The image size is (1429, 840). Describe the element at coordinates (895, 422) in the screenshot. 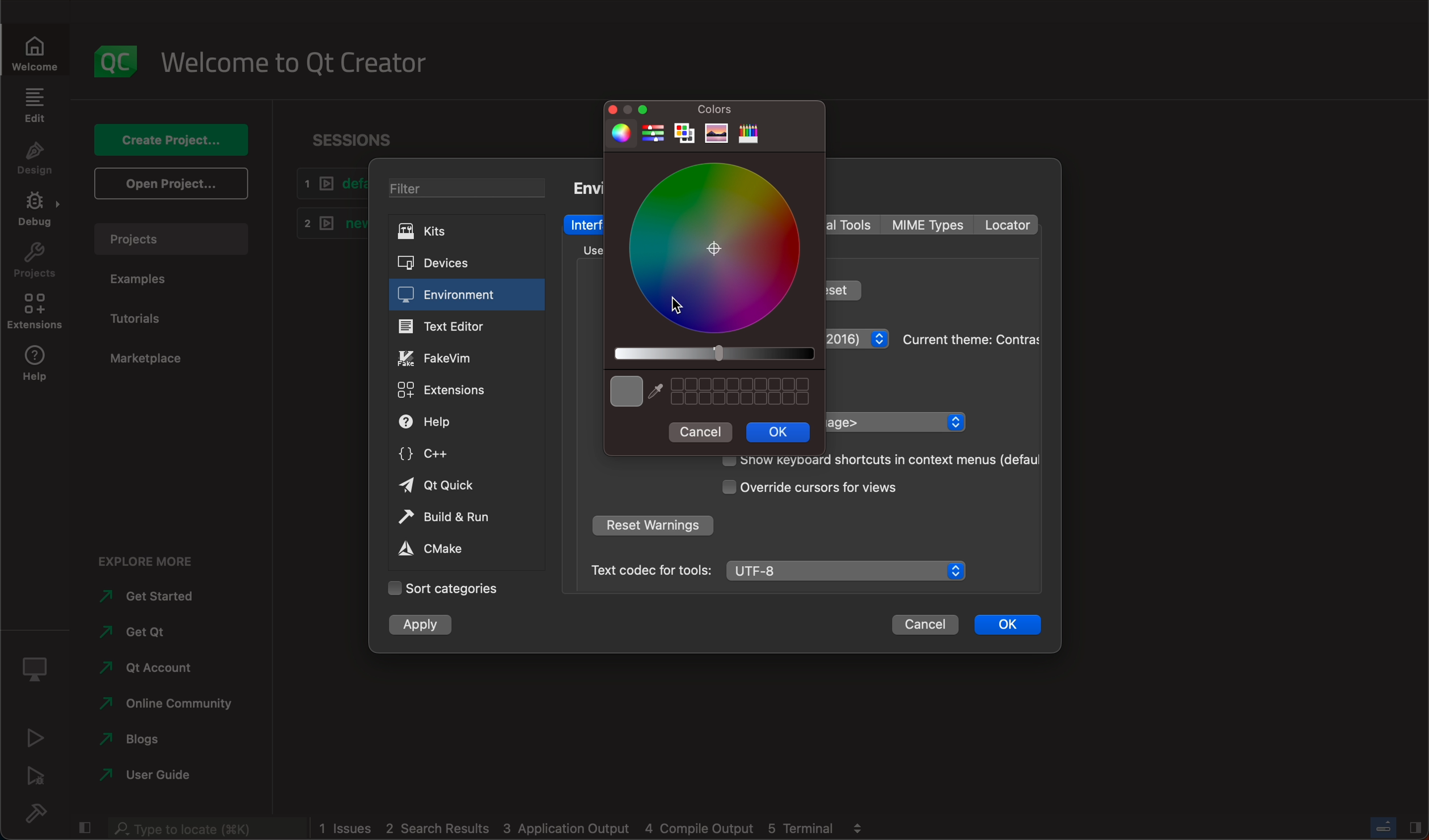

I see `language` at that location.